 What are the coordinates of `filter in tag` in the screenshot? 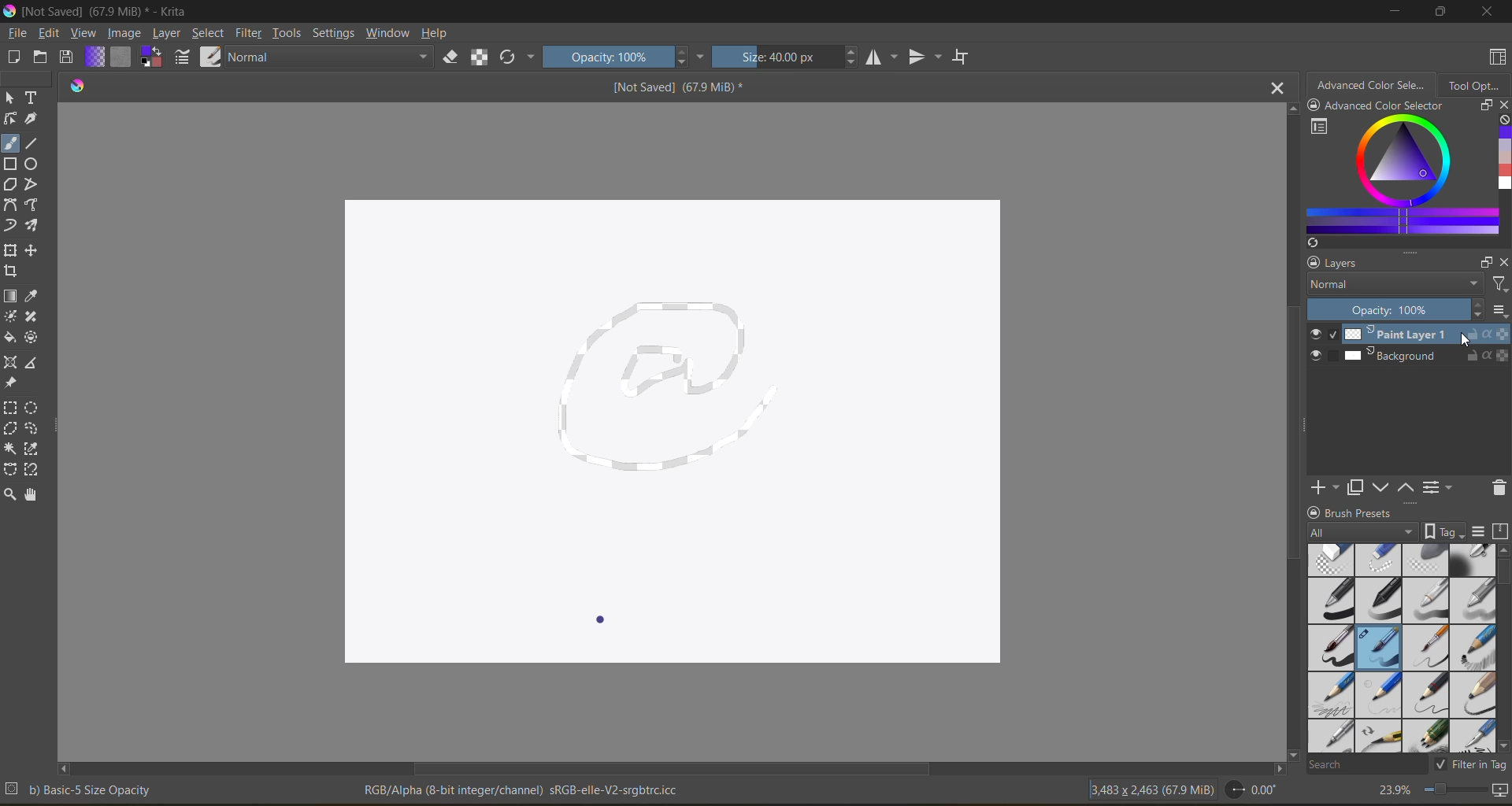 It's located at (1470, 763).